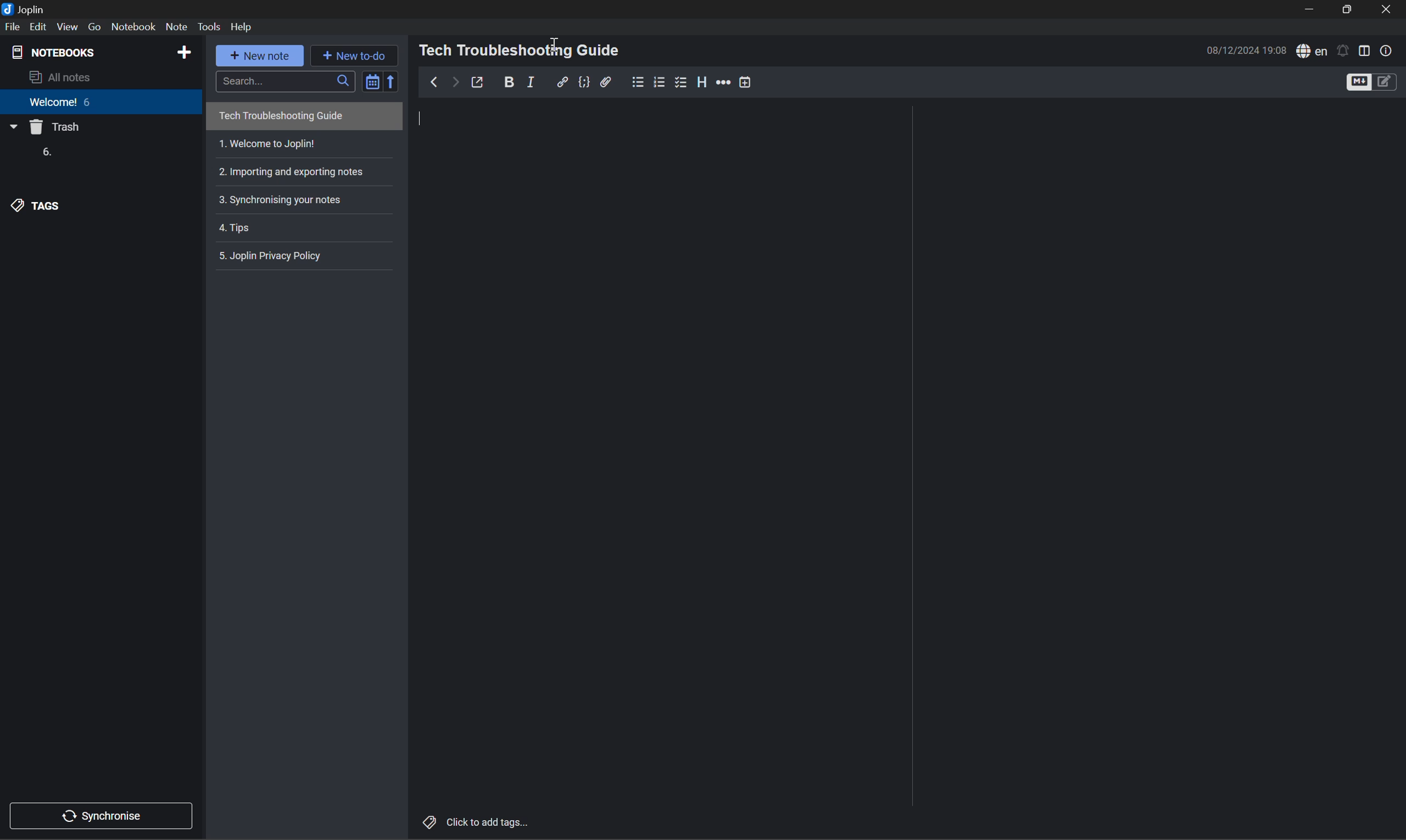  Describe the element at coordinates (477, 821) in the screenshot. I see `Click to add tags` at that location.